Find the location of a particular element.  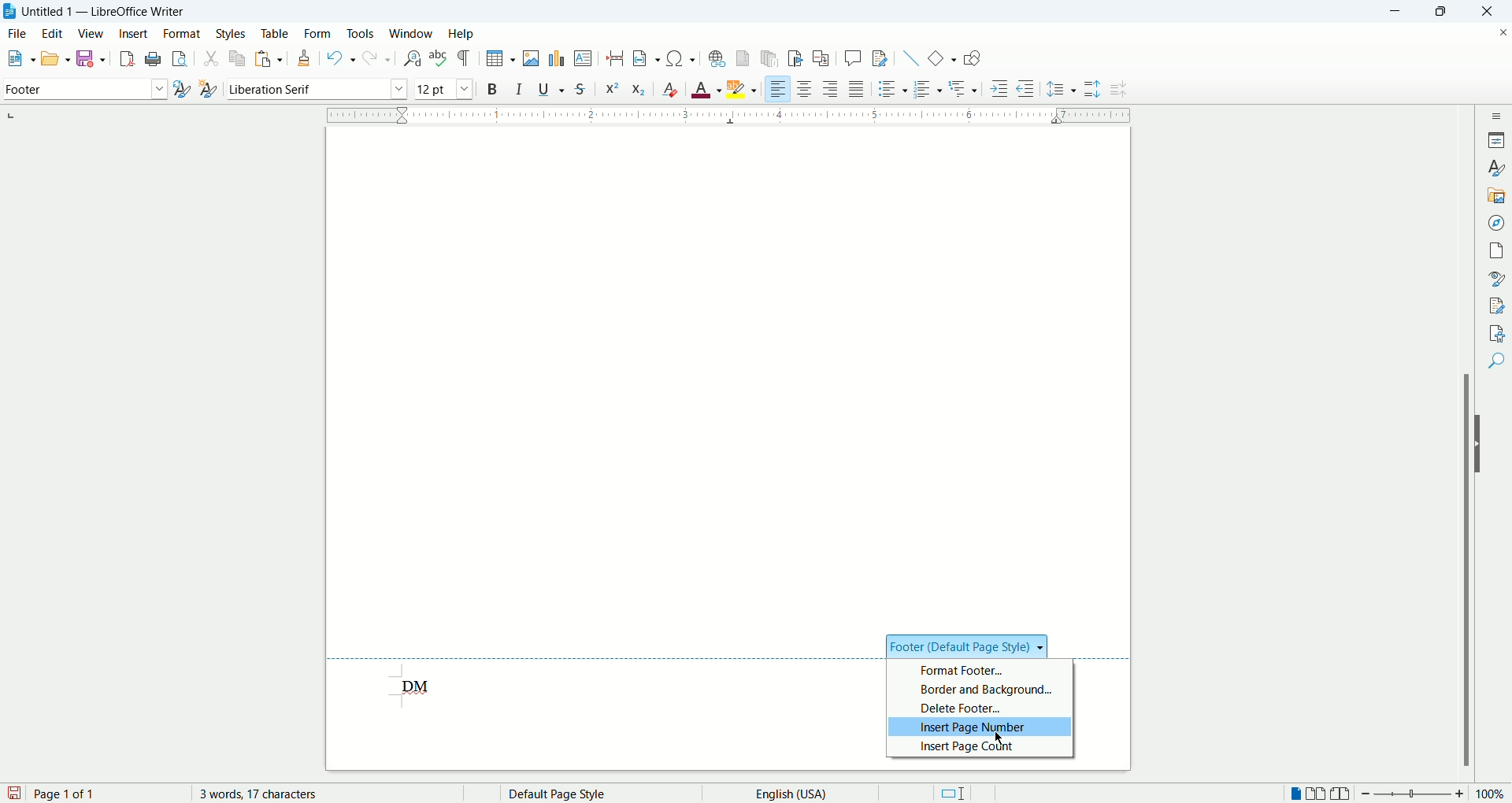

manage changes is located at coordinates (1498, 306).